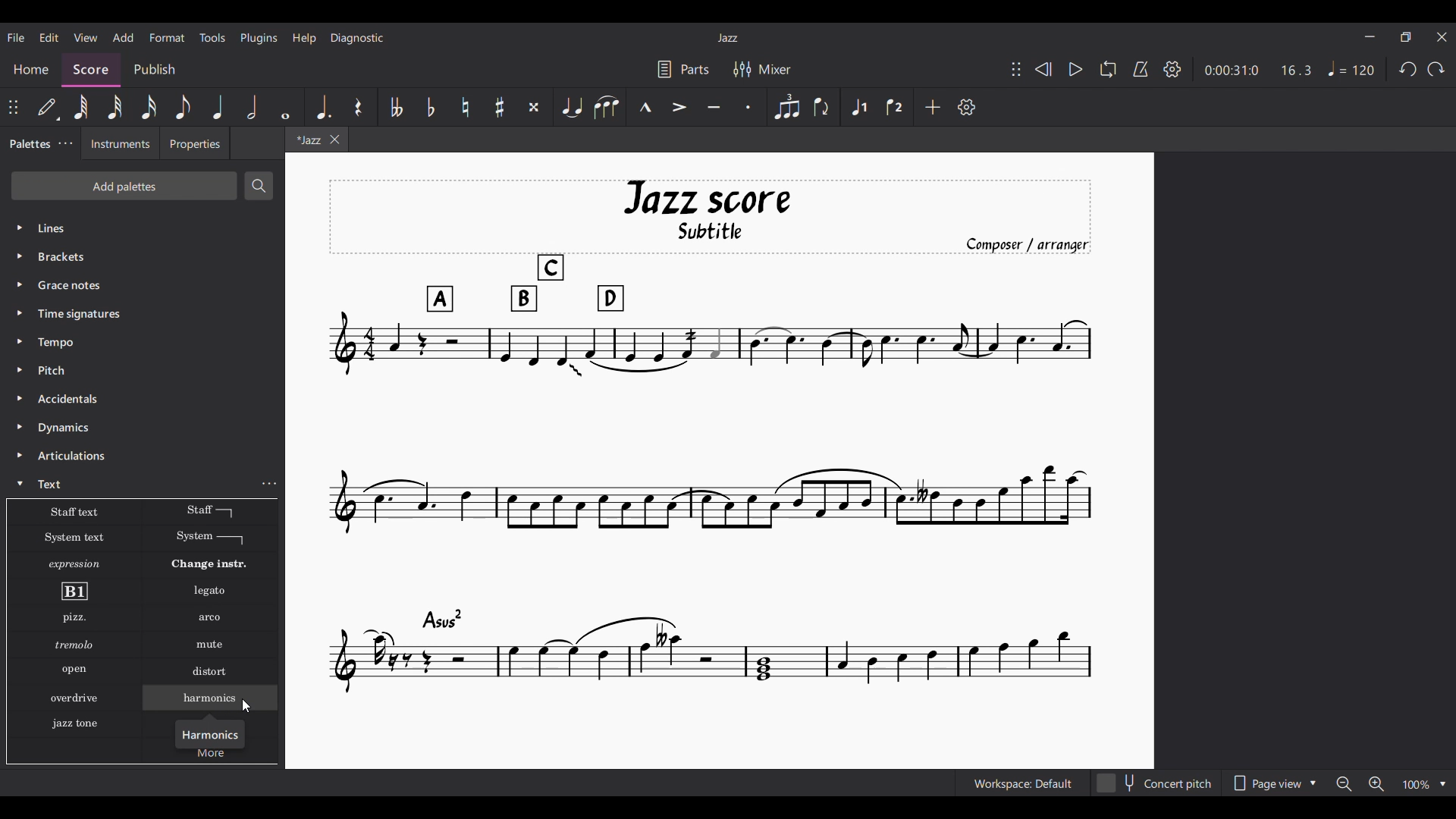 The height and width of the screenshot is (819, 1456). What do you see at coordinates (572, 107) in the screenshot?
I see `Tie` at bounding box center [572, 107].